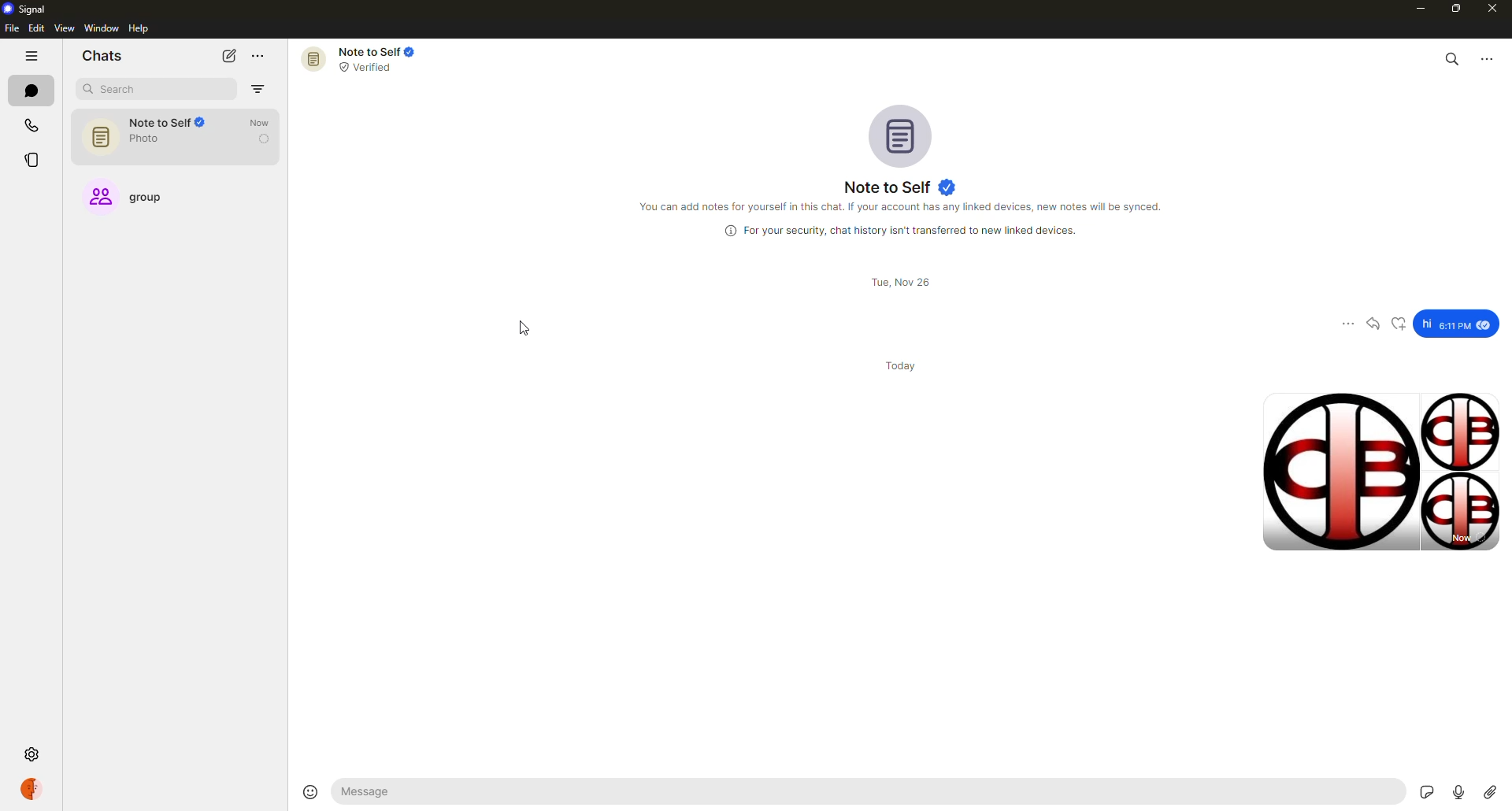  Describe the element at coordinates (303, 792) in the screenshot. I see `emoji` at that location.